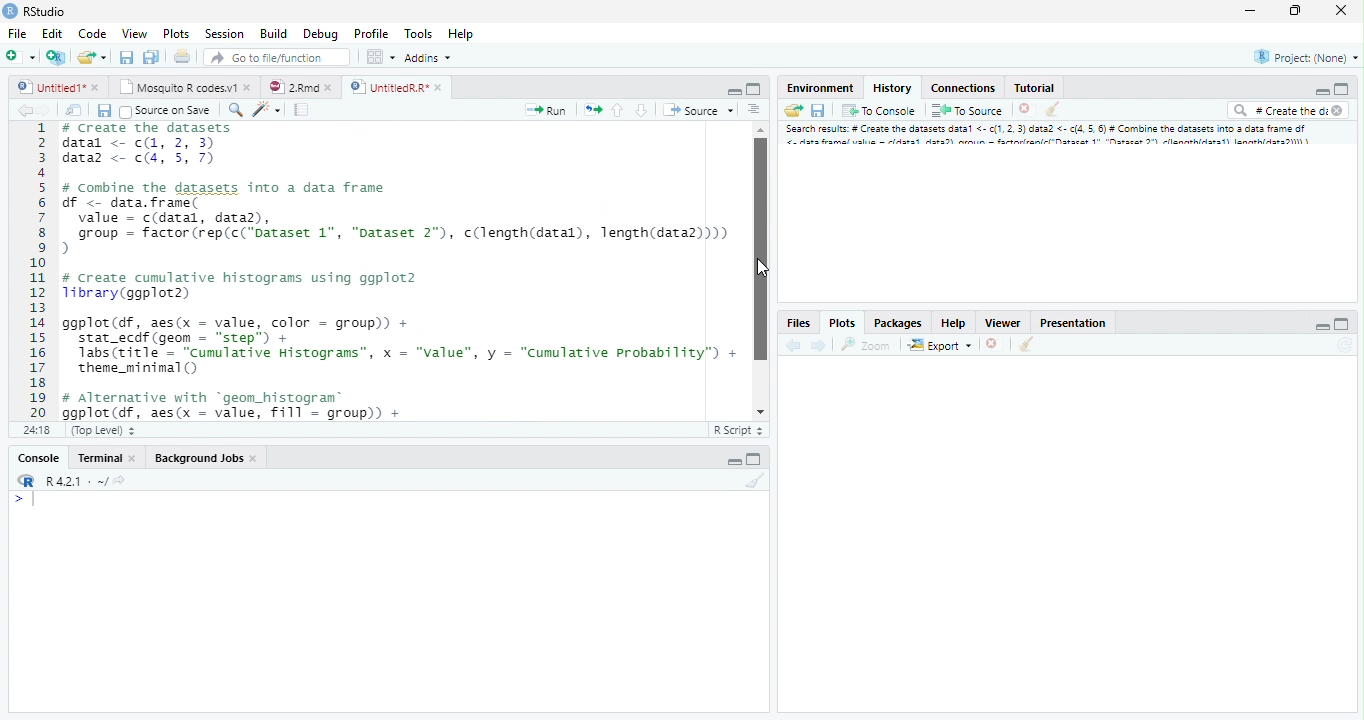 This screenshot has width=1364, height=720. What do you see at coordinates (1052, 137) in the screenshot?
I see `Search result # create dataset data..` at bounding box center [1052, 137].